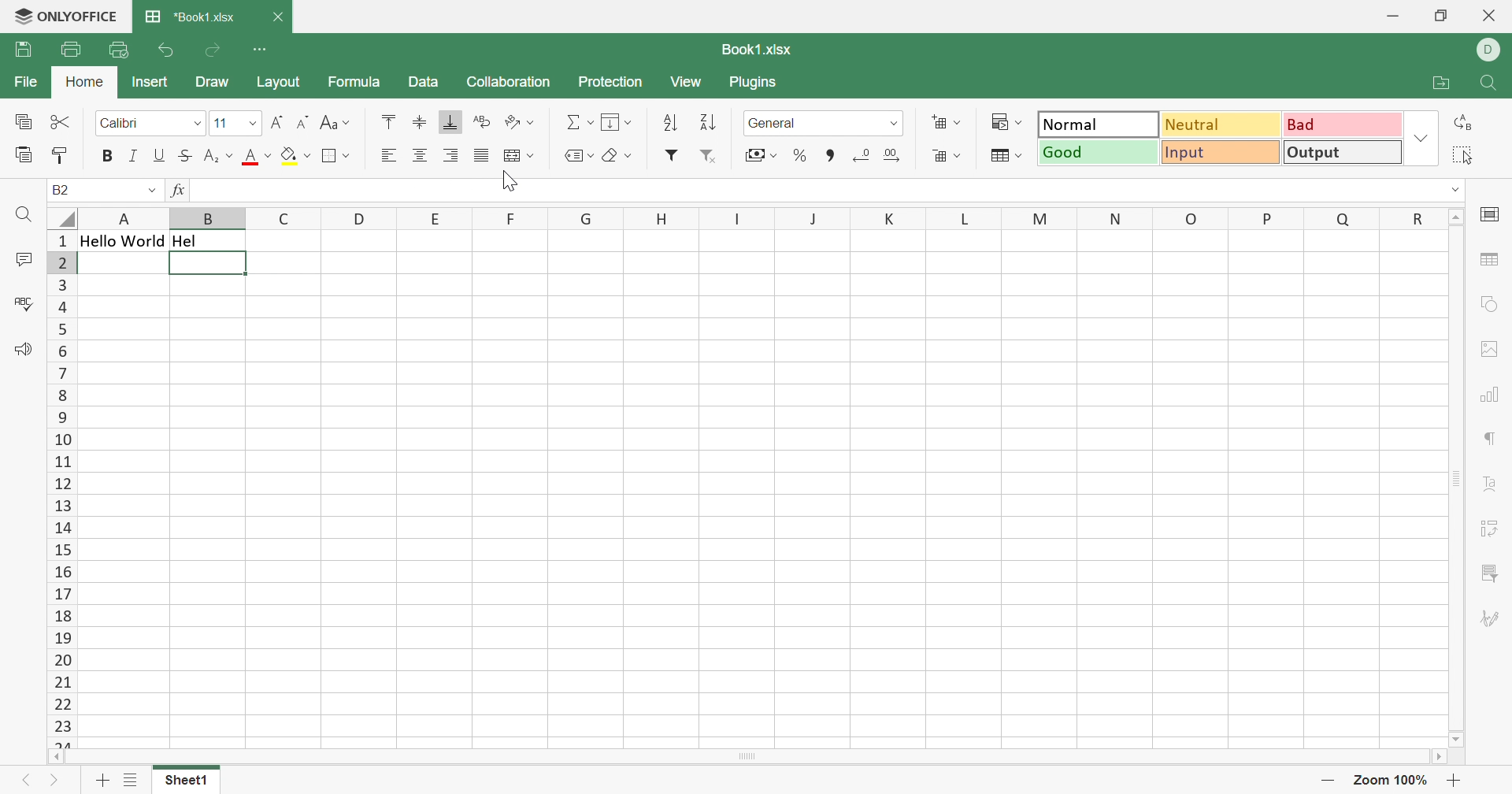  What do you see at coordinates (84, 81) in the screenshot?
I see `Home` at bounding box center [84, 81].